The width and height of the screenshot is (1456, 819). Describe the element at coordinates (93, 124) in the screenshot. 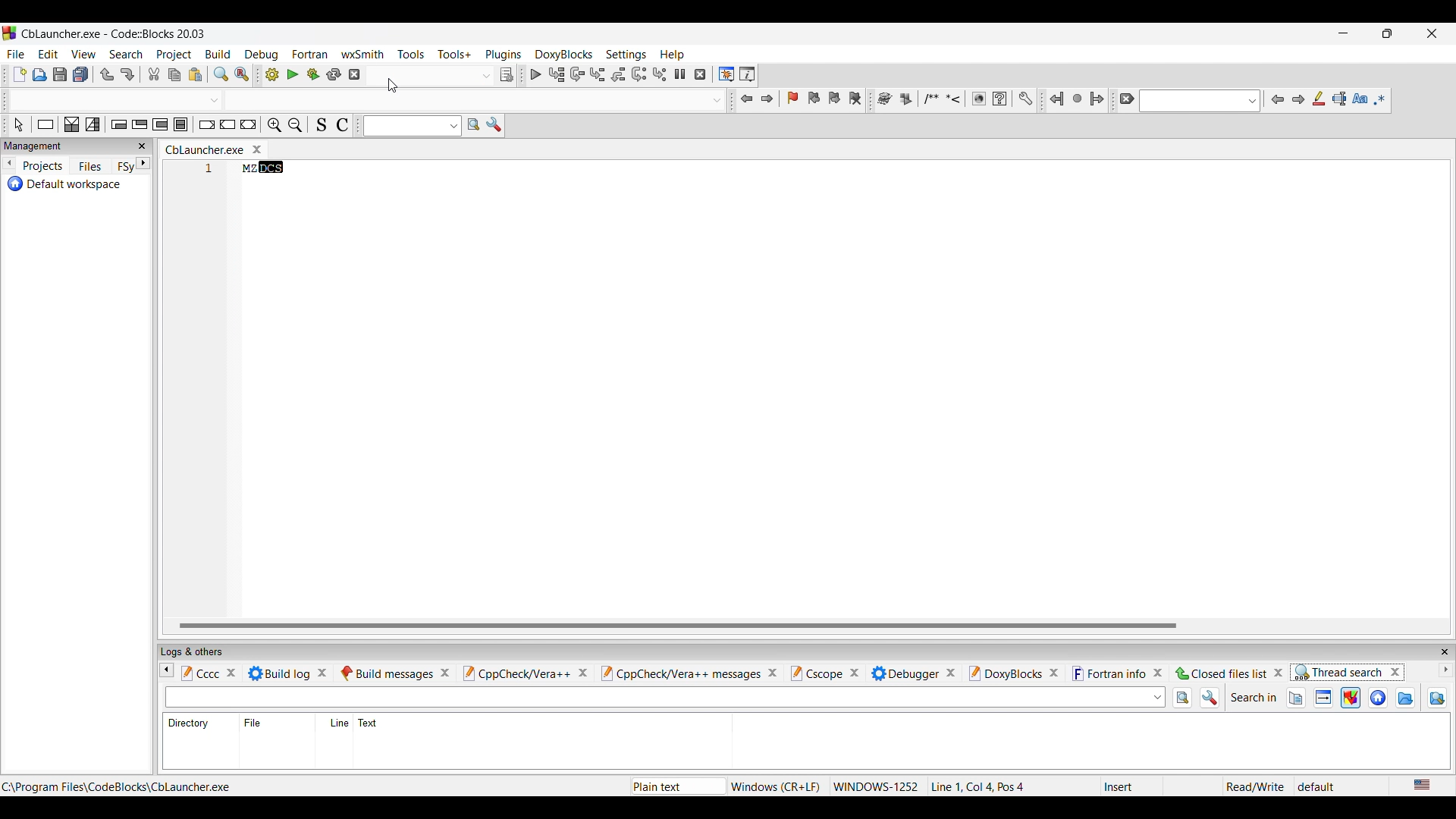

I see `Selection` at that location.